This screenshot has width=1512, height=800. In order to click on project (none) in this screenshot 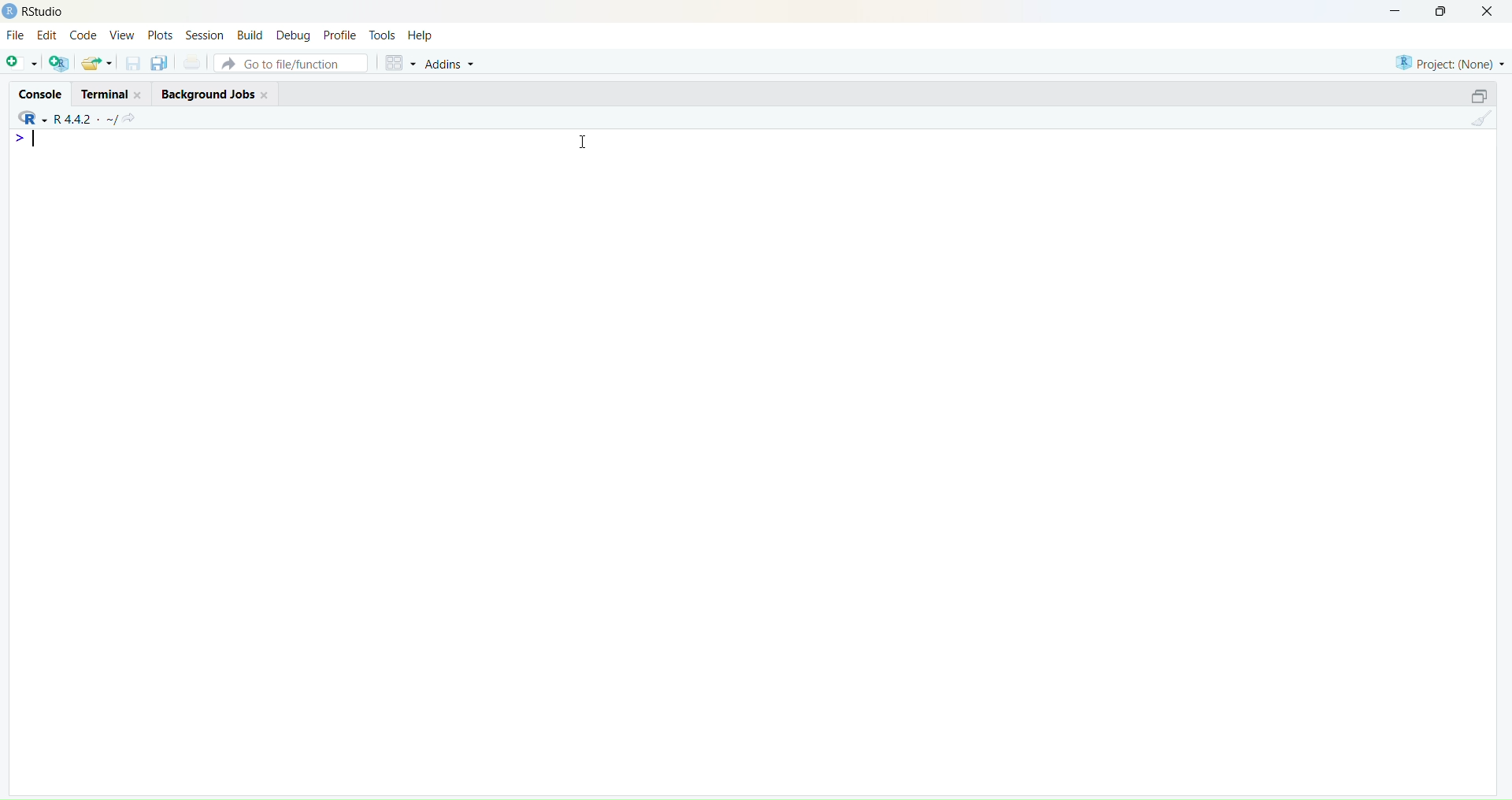, I will do `click(1450, 64)`.